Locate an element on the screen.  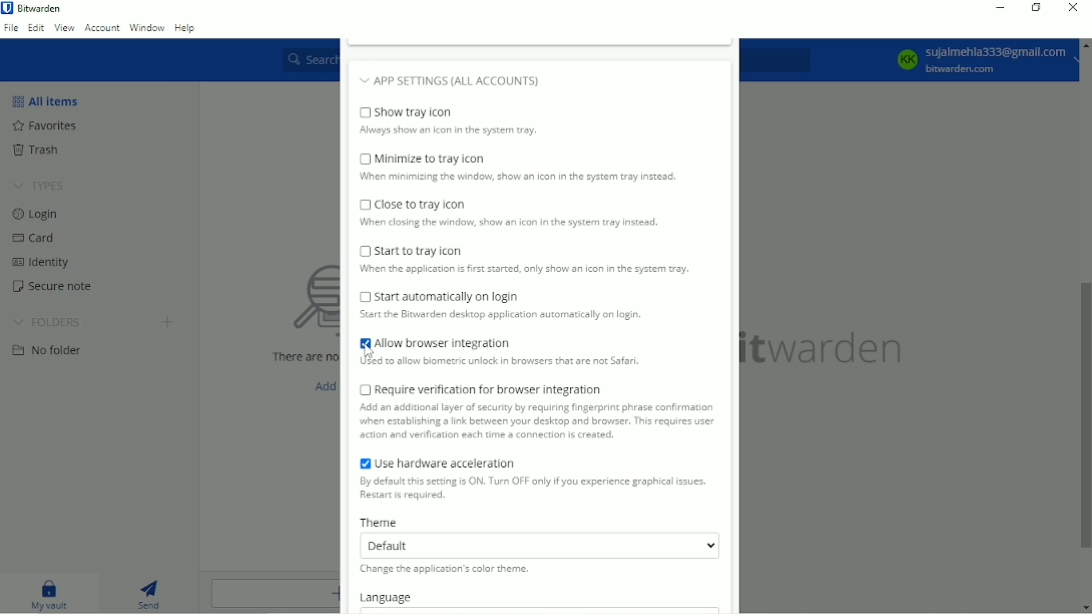
Edit is located at coordinates (35, 28).